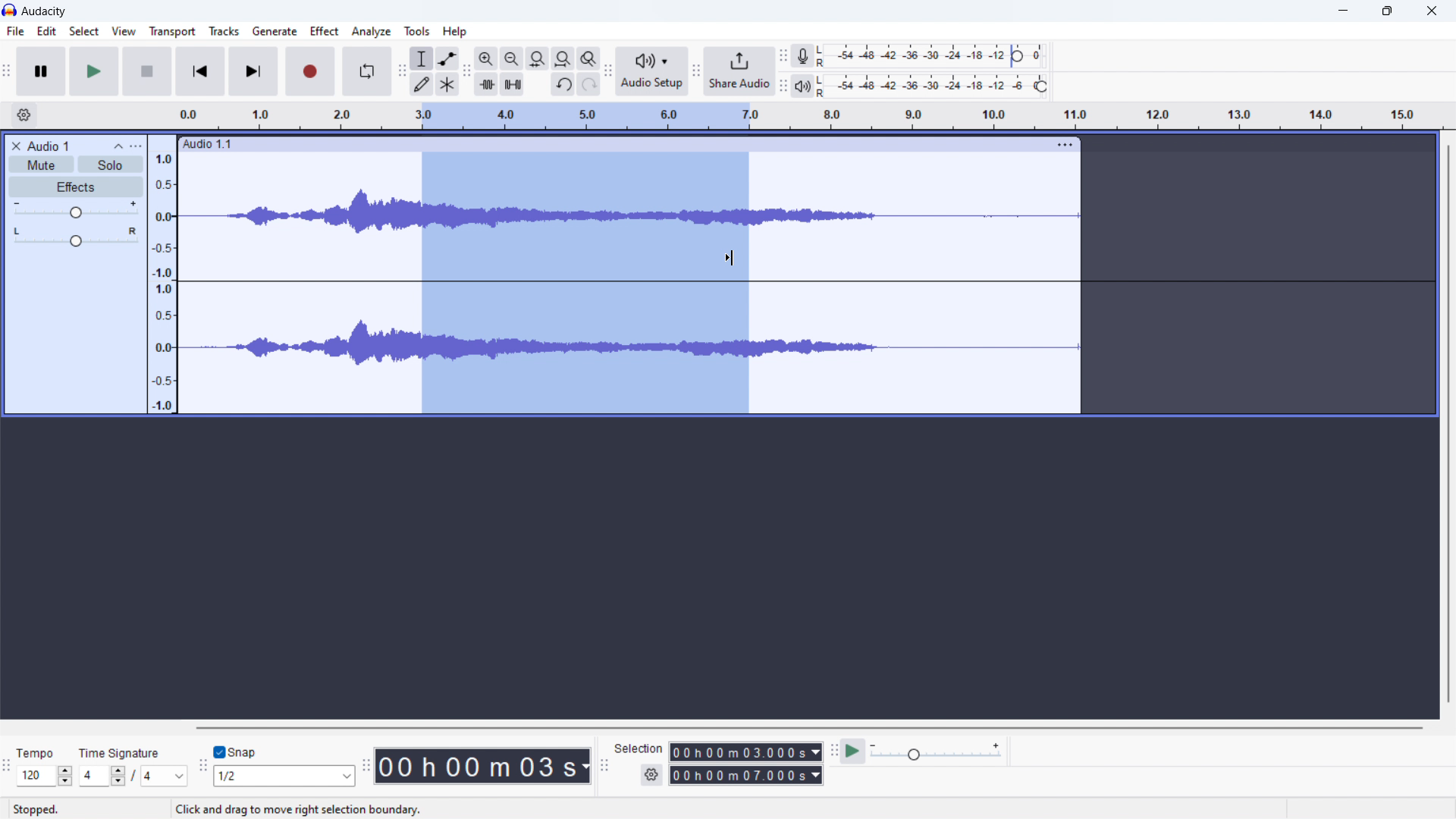 The image size is (1456, 819). I want to click on settings, so click(23, 116).